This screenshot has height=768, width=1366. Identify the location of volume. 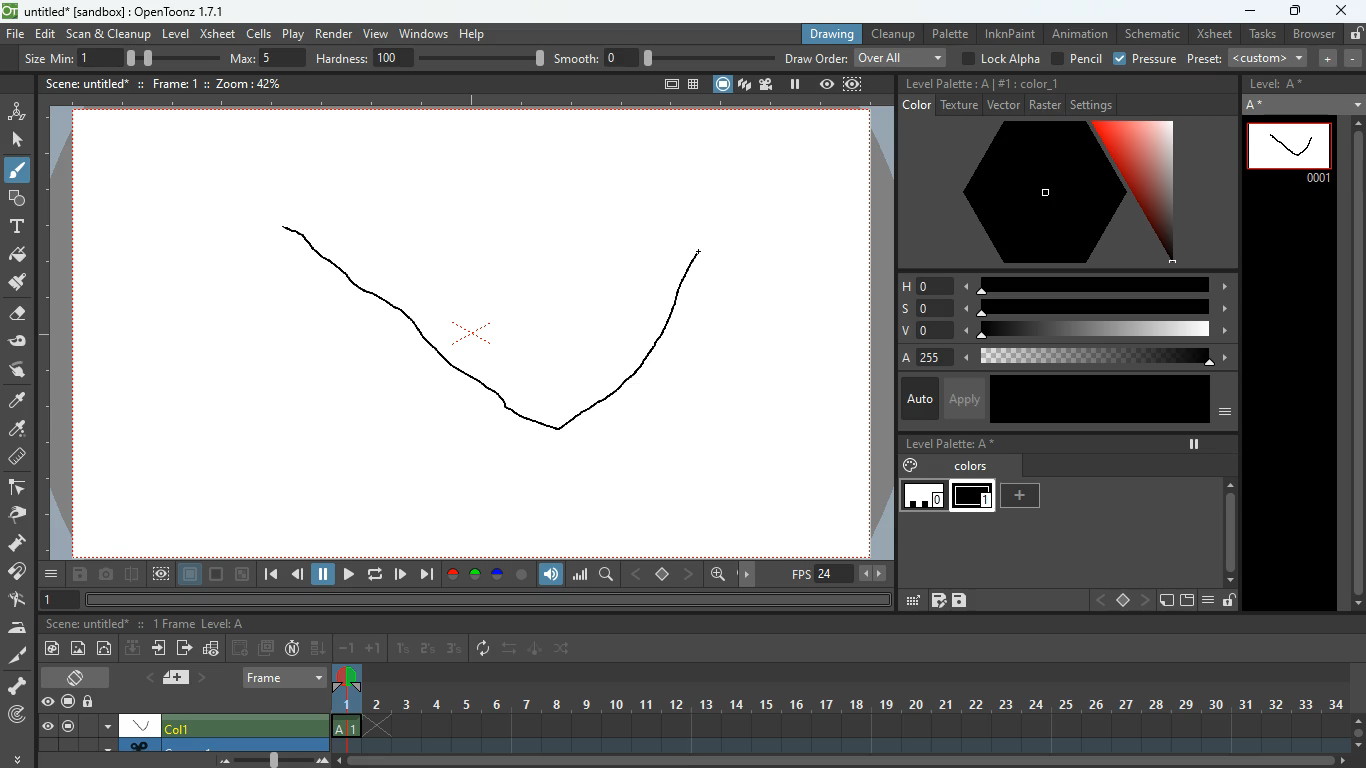
(552, 575).